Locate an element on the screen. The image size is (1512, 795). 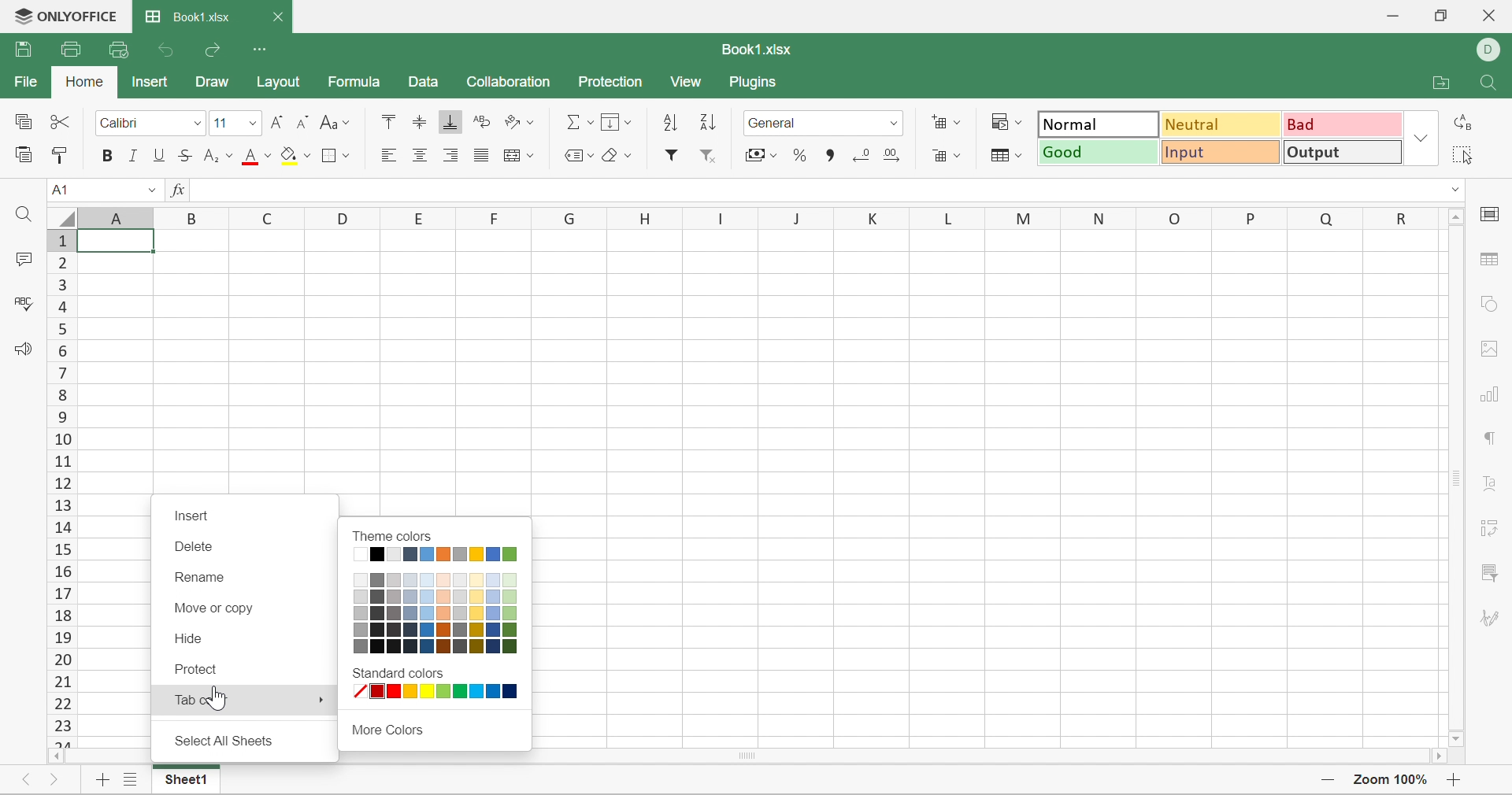
Percent style is located at coordinates (801, 157).